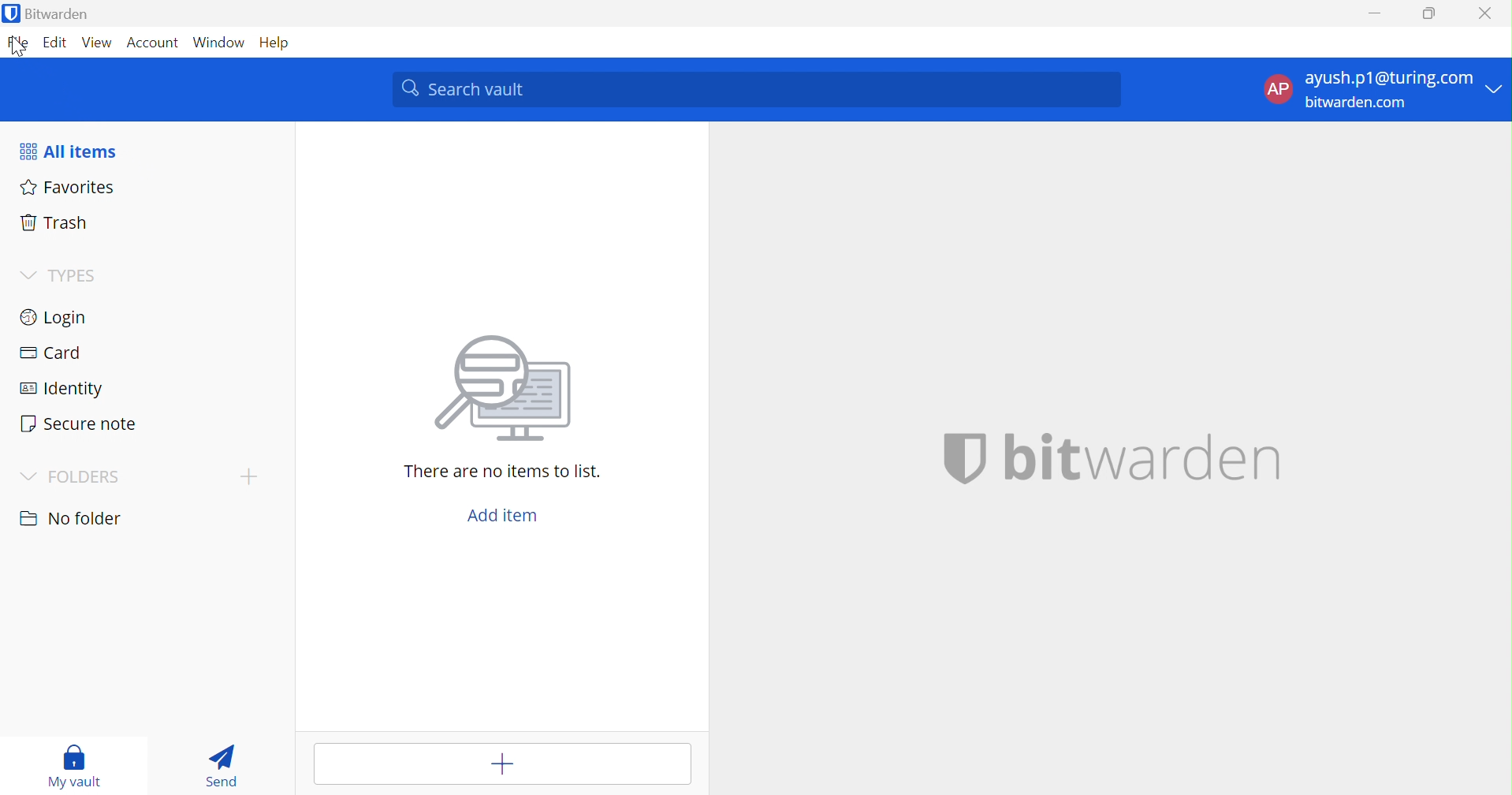 This screenshot has height=795, width=1512. I want to click on Bitwarden, so click(51, 13).